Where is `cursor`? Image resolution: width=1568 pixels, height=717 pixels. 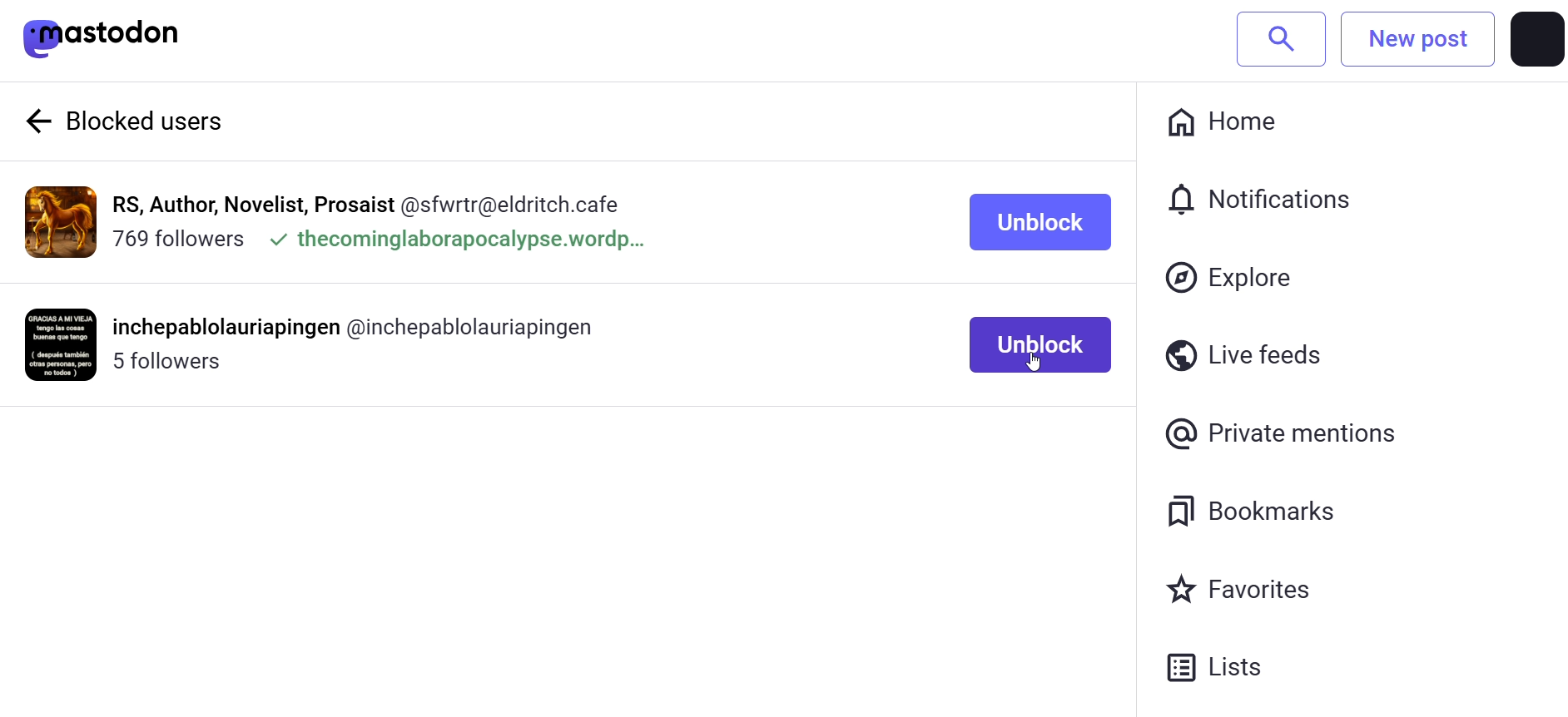
cursor is located at coordinates (1047, 371).